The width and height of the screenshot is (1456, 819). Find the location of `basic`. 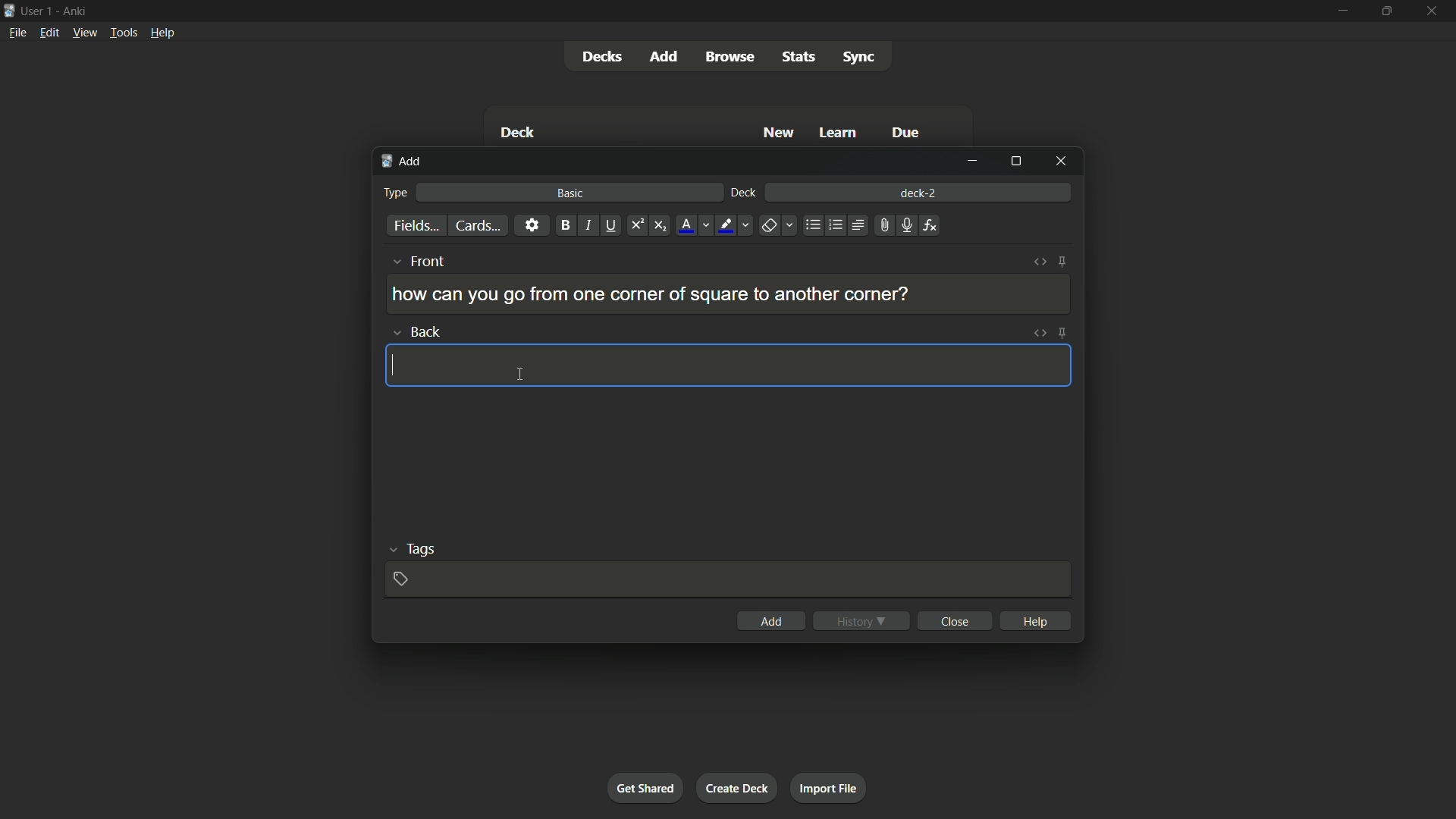

basic is located at coordinates (570, 193).